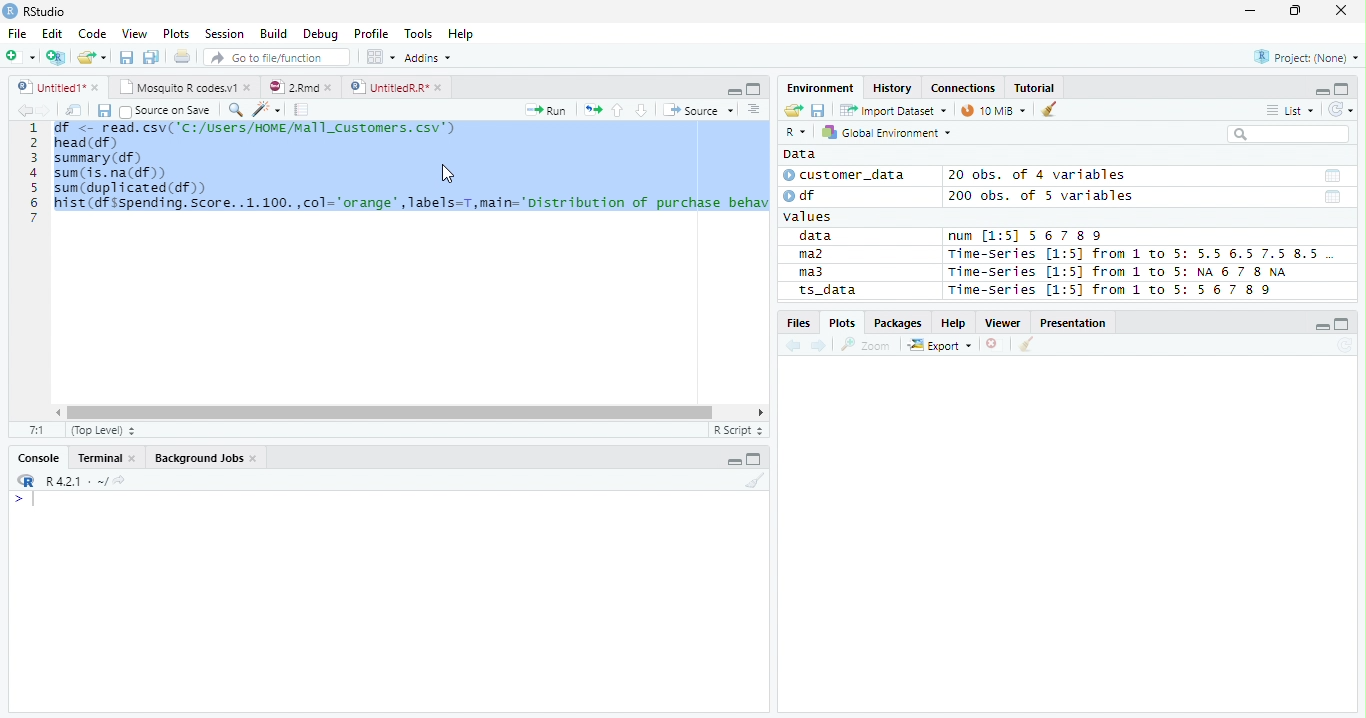 This screenshot has height=718, width=1366. Describe the element at coordinates (1026, 236) in the screenshot. I see `num [1:5] 567 89` at that location.